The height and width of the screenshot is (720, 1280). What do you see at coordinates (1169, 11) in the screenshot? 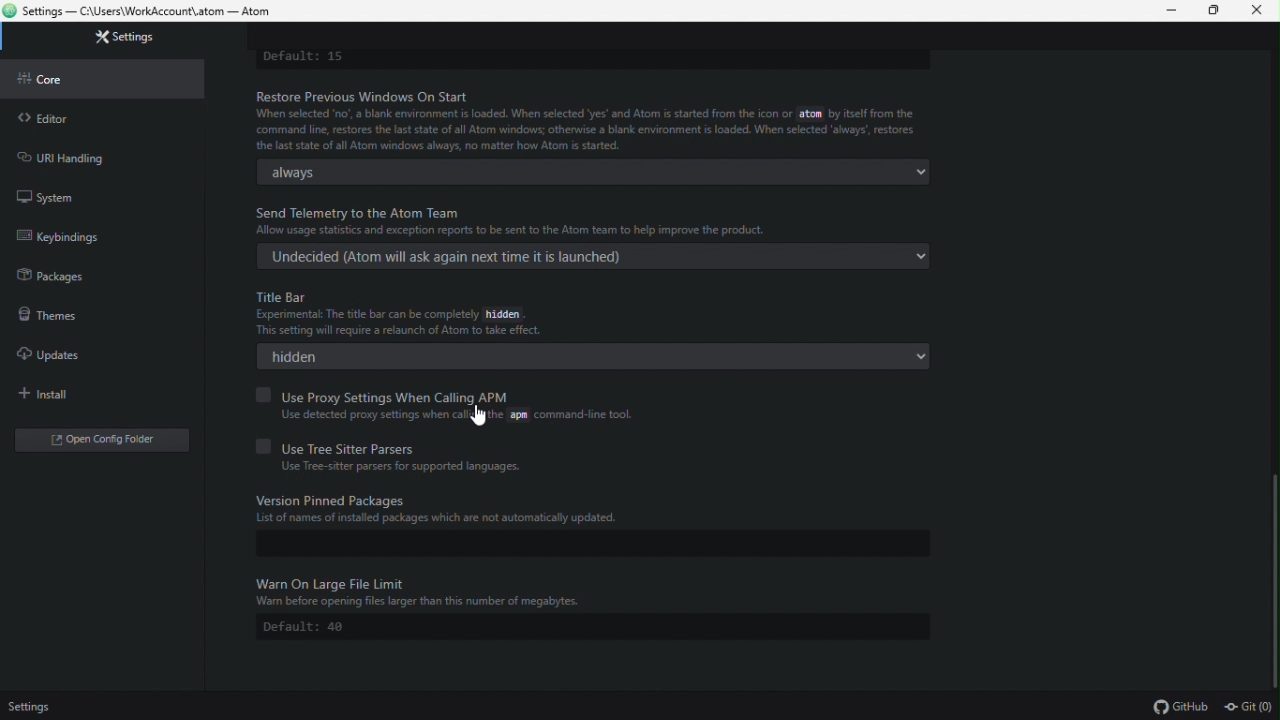
I see `minimize` at bounding box center [1169, 11].